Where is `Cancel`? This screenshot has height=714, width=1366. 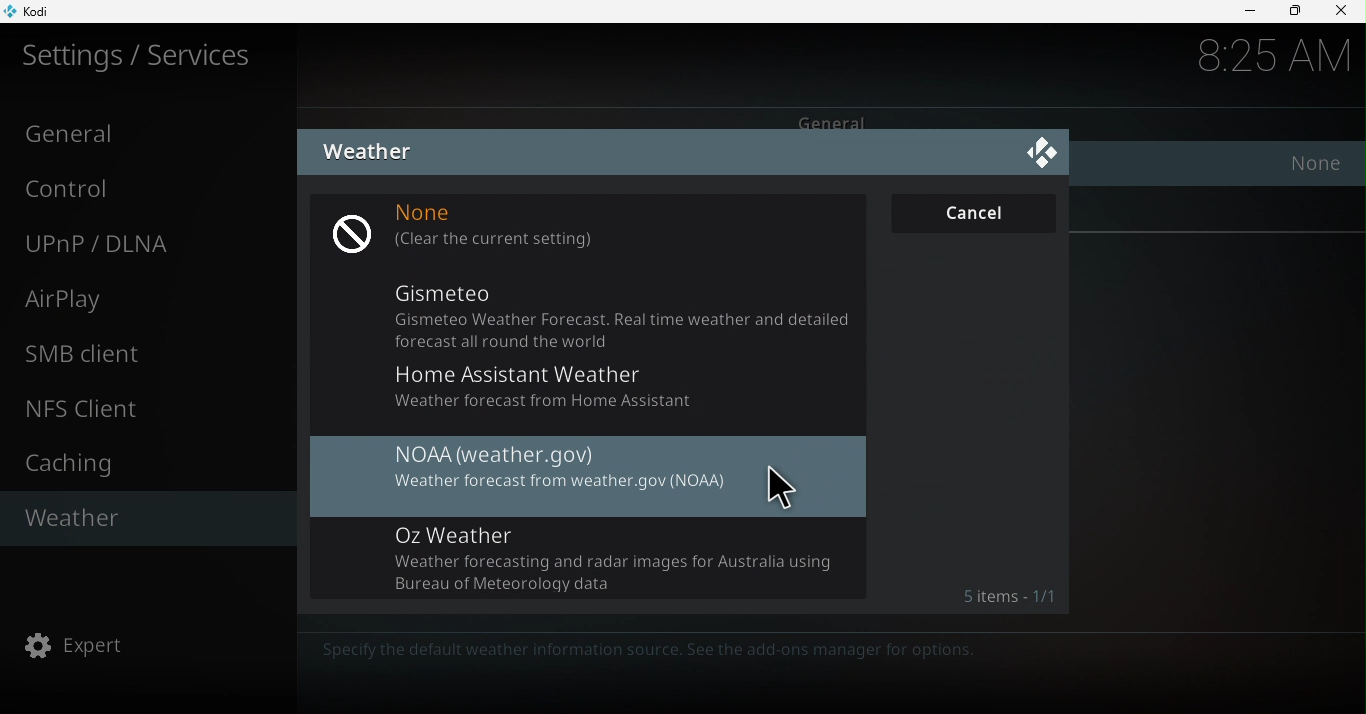 Cancel is located at coordinates (969, 213).